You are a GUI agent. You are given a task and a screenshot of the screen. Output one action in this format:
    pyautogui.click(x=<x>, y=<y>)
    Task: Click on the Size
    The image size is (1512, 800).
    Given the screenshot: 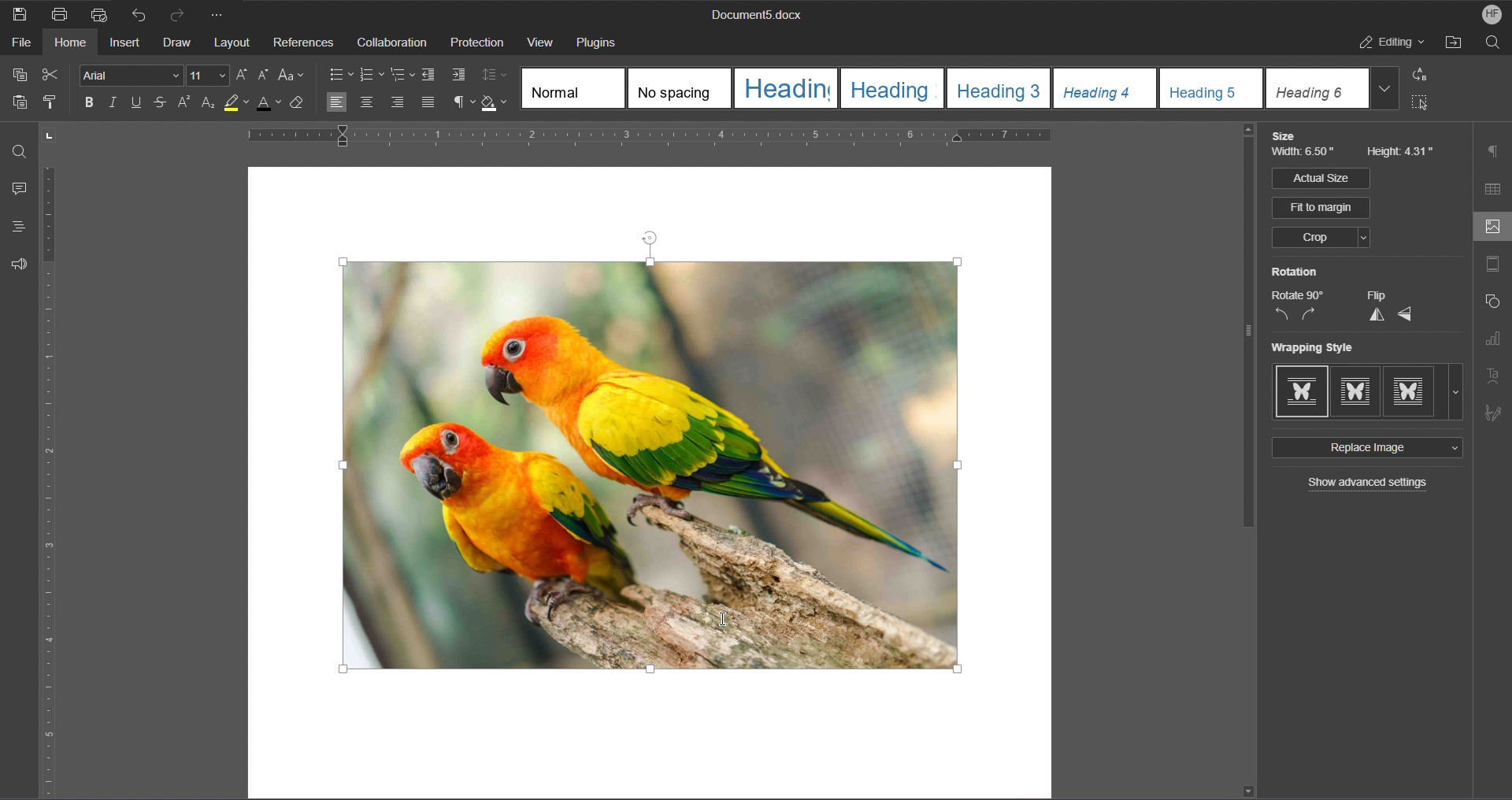 What is the action you would take?
    pyautogui.click(x=1288, y=136)
    